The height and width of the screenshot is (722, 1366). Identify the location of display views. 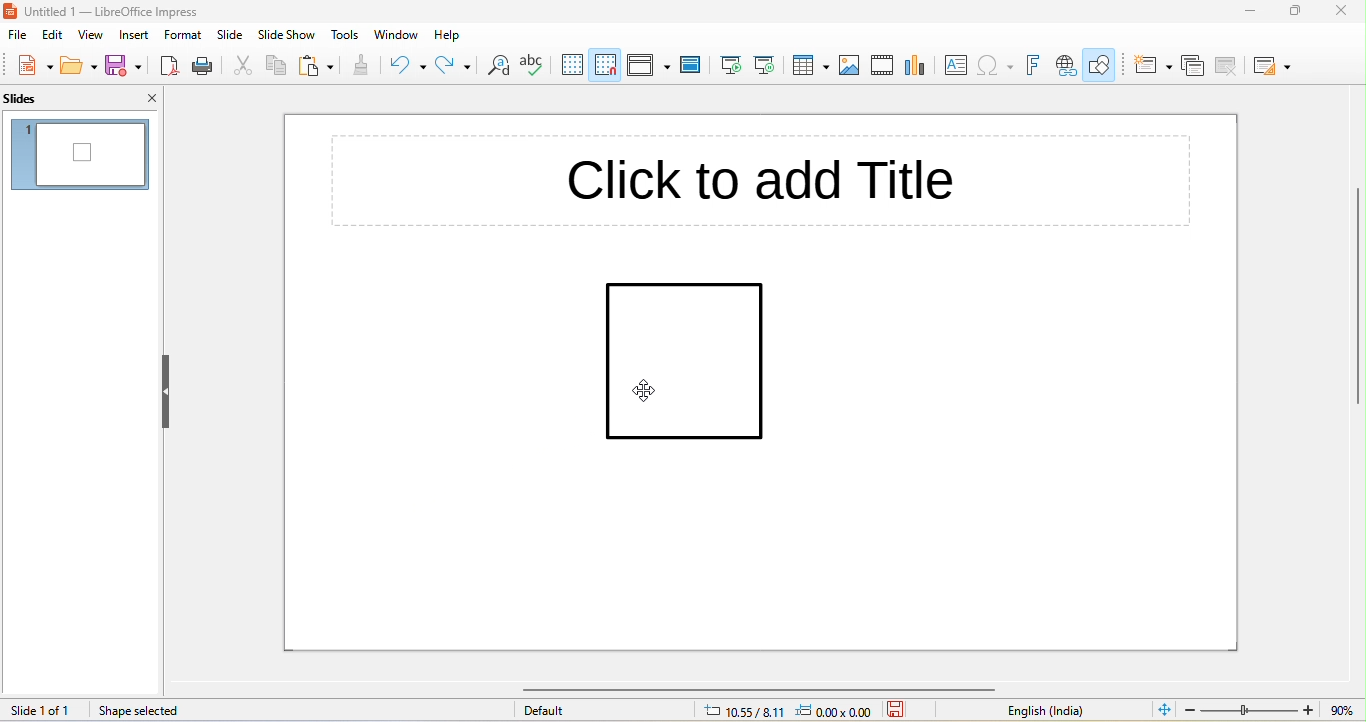
(650, 64).